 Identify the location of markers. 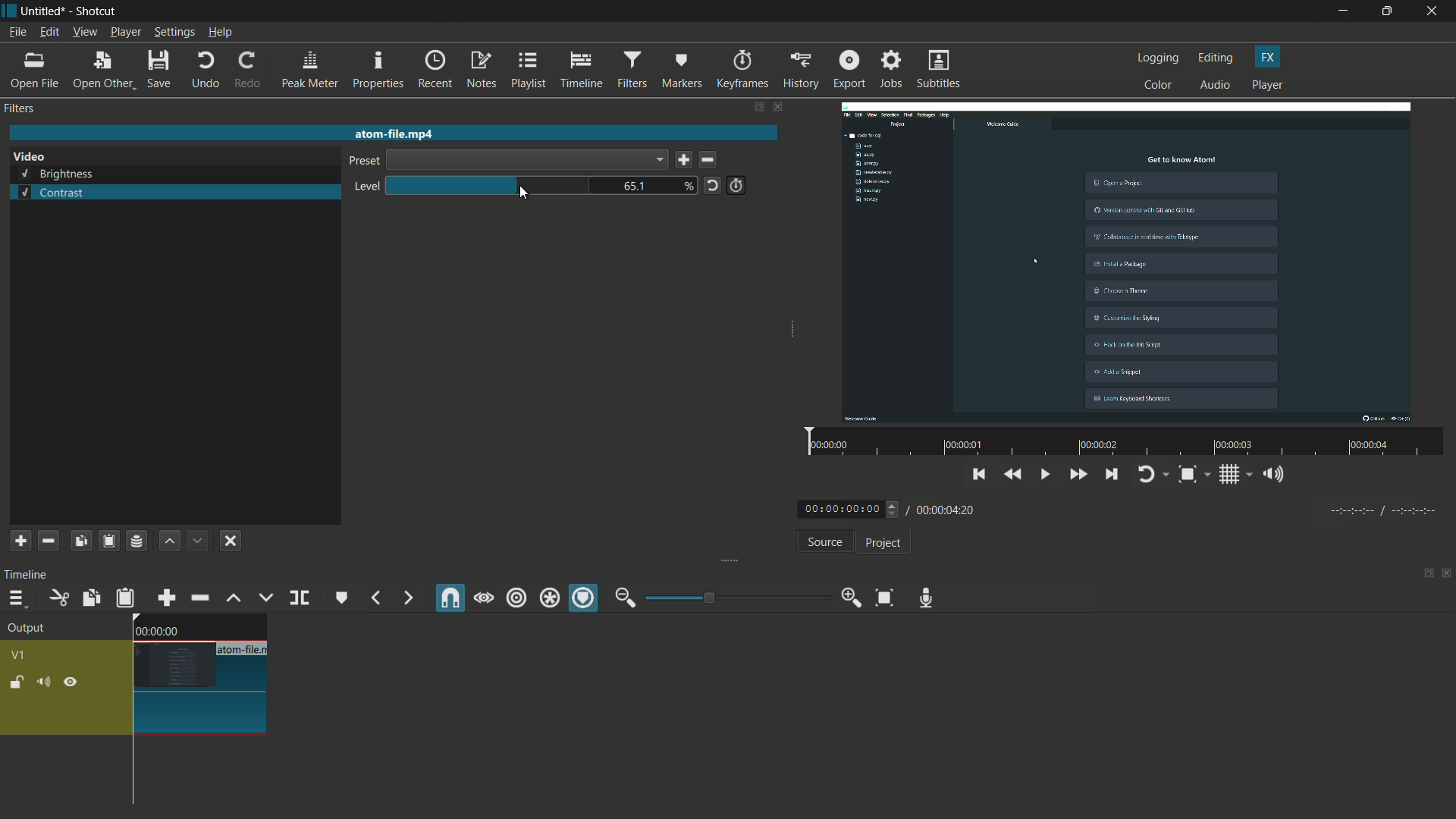
(682, 69).